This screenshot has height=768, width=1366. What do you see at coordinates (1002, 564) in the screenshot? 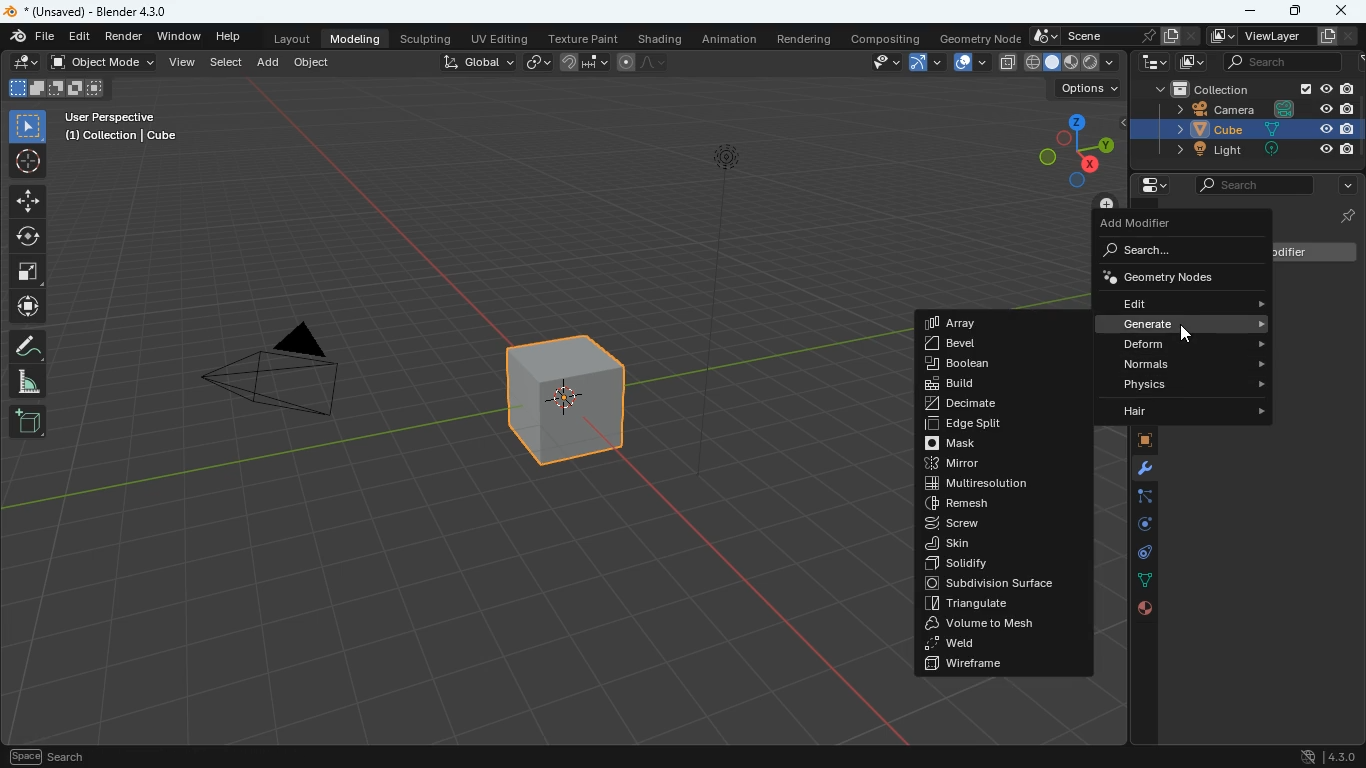
I see `solidify` at bounding box center [1002, 564].